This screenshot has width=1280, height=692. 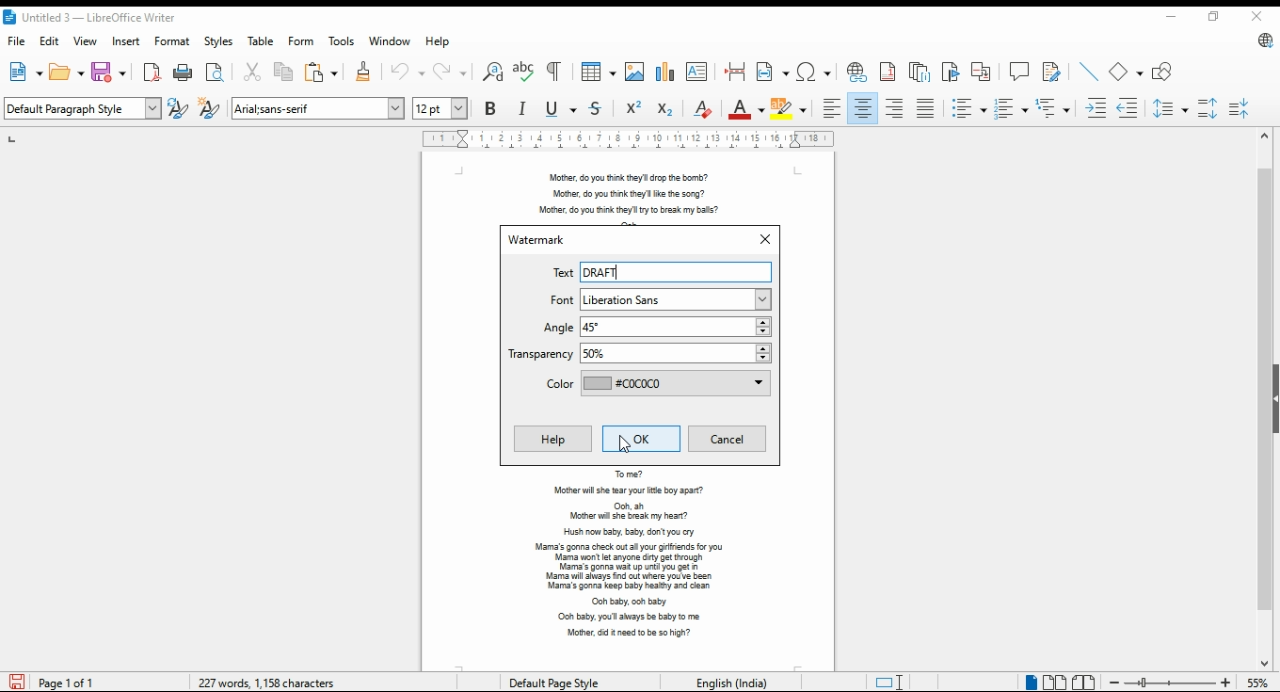 What do you see at coordinates (17, 43) in the screenshot?
I see `file` at bounding box center [17, 43].